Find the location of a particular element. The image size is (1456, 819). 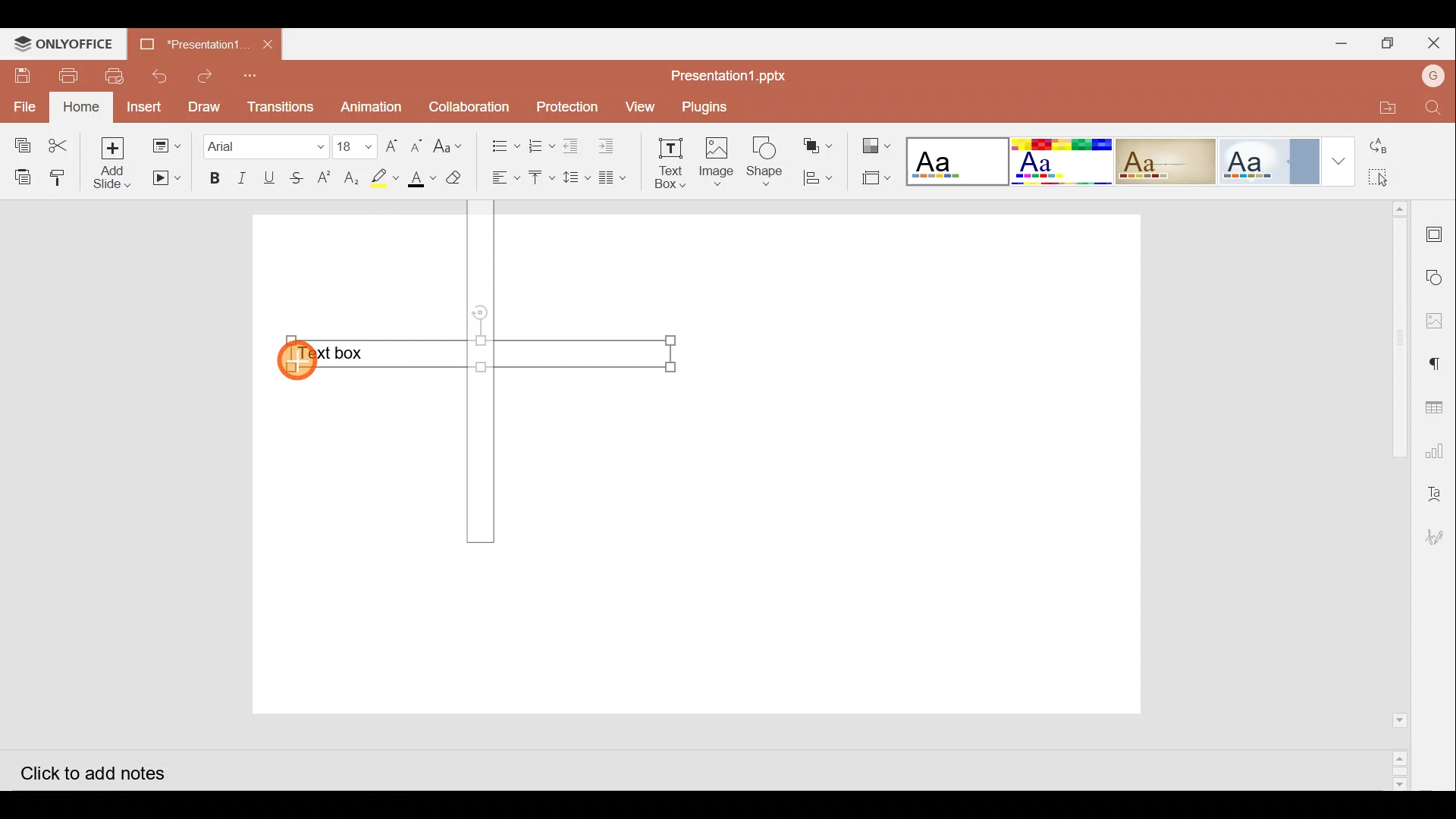

Replace is located at coordinates (1395, 148).